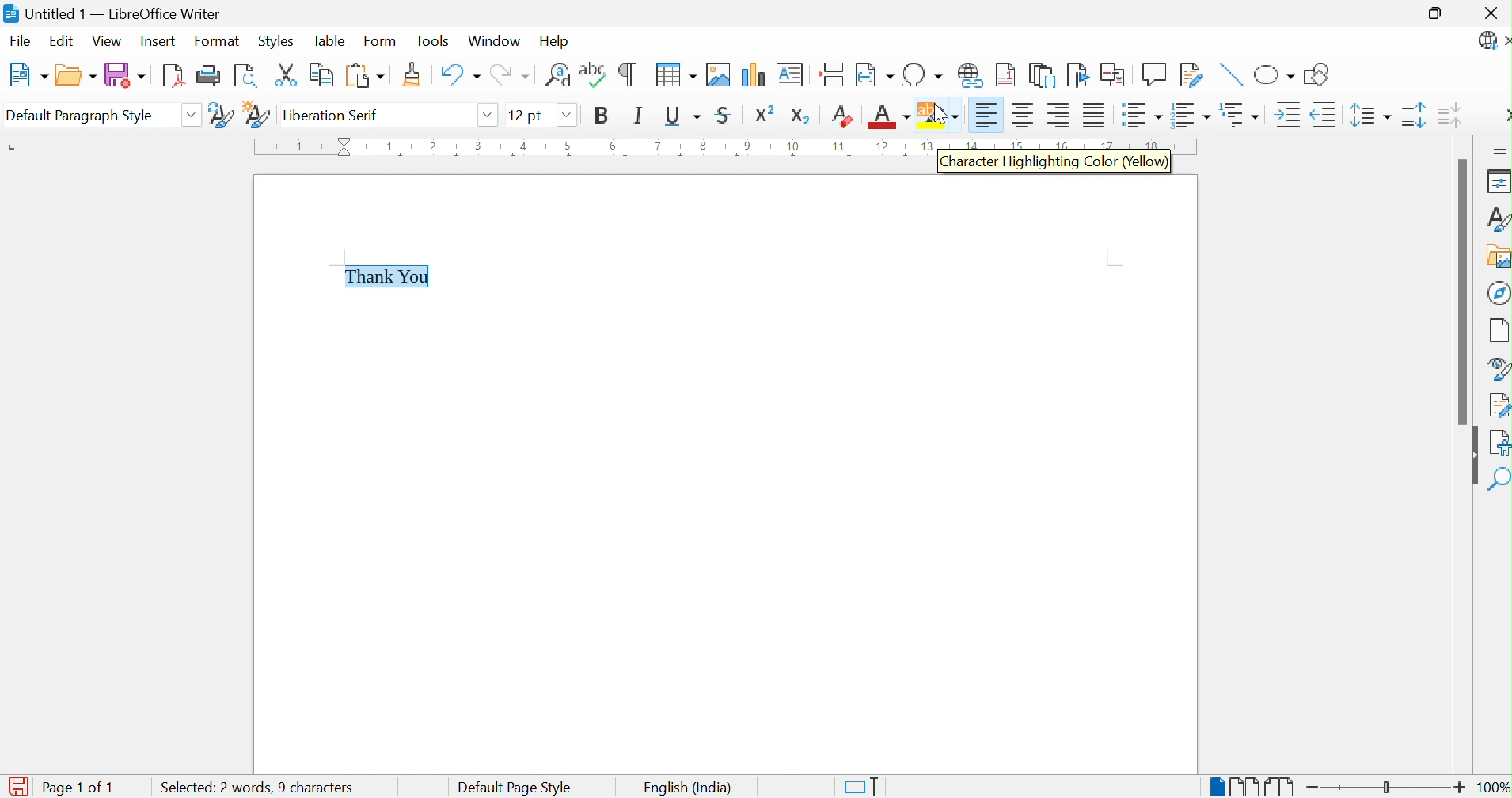 This screenshot has width=1512, height=798. I want to click on Navigator, so click(1498, 292).